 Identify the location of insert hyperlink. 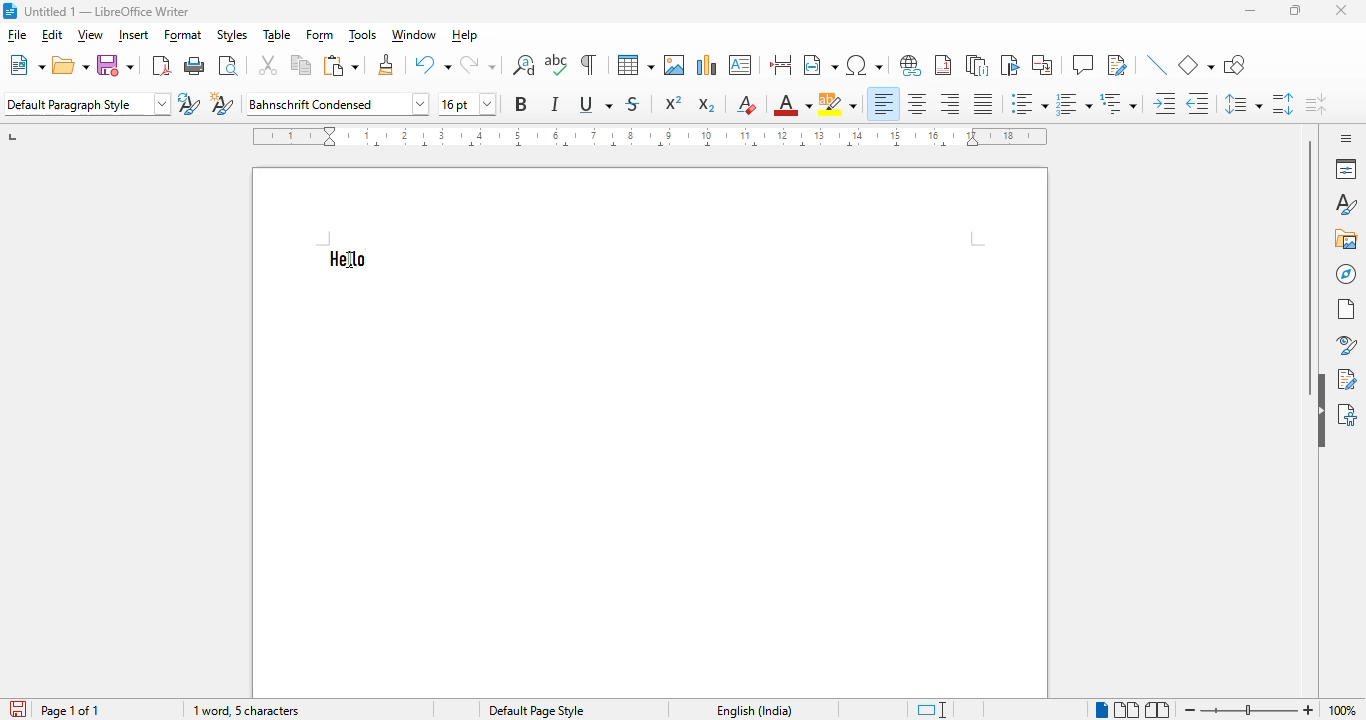
(912, 65).